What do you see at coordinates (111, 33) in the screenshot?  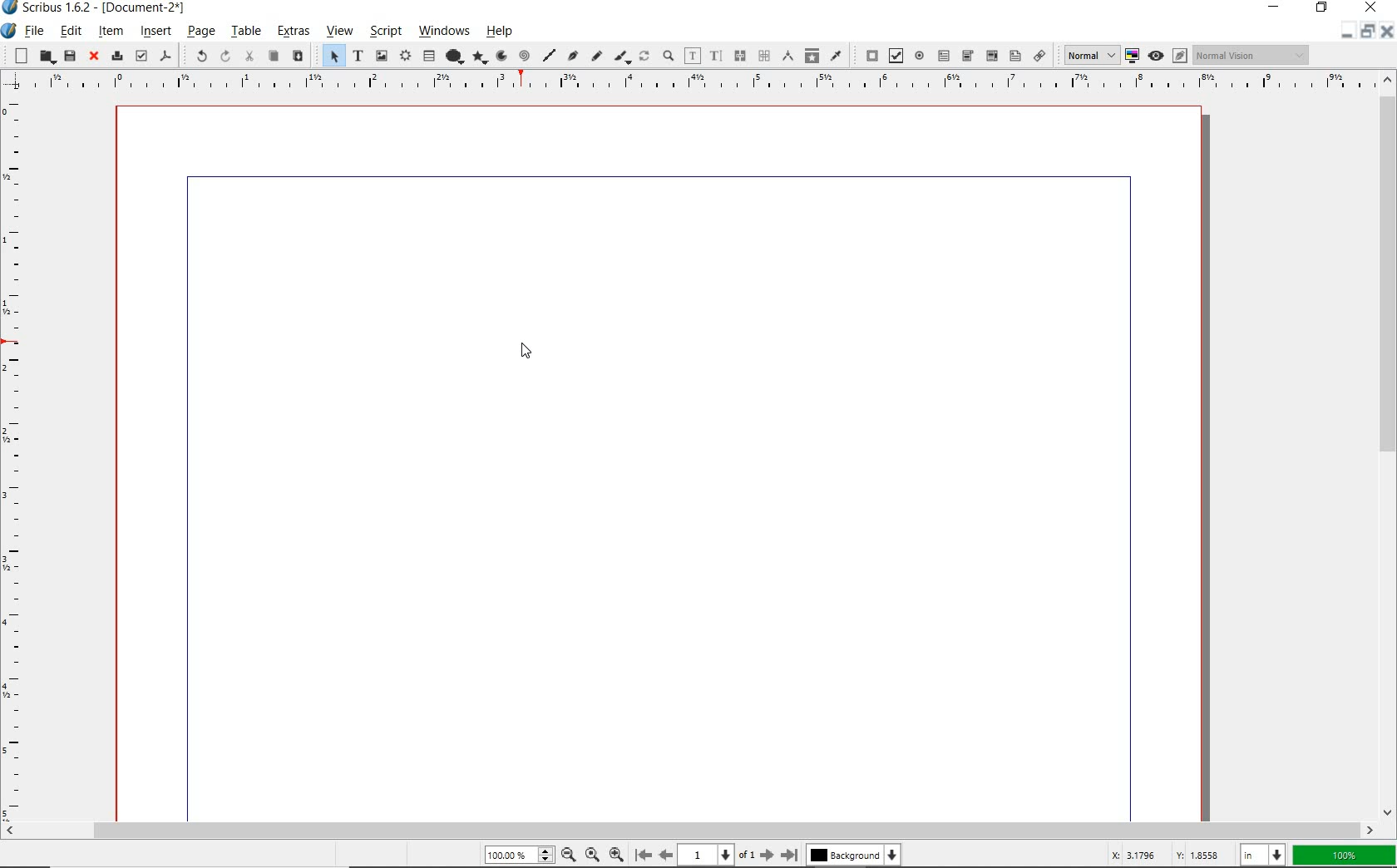 I see `item` at bounding box center [111, 33].